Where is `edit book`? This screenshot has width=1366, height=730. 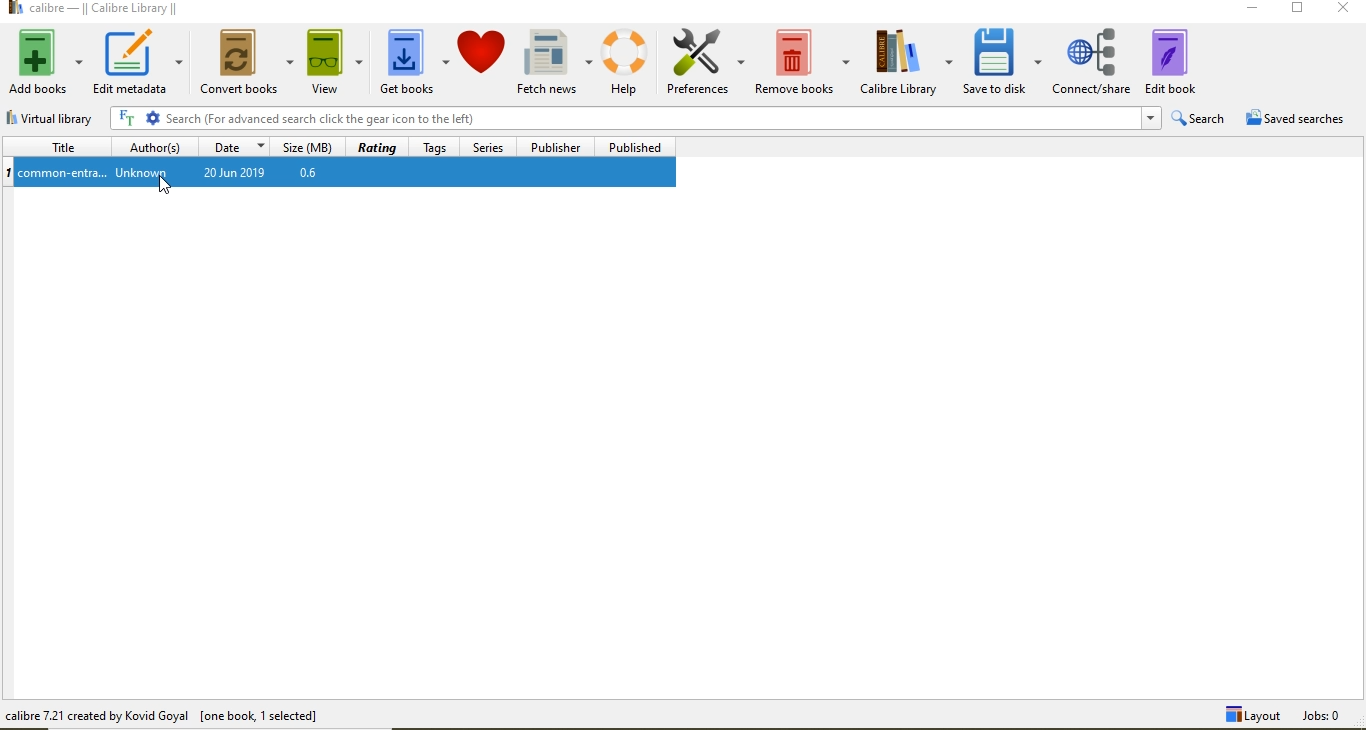 edit book is located at coordinates (1184, 57).